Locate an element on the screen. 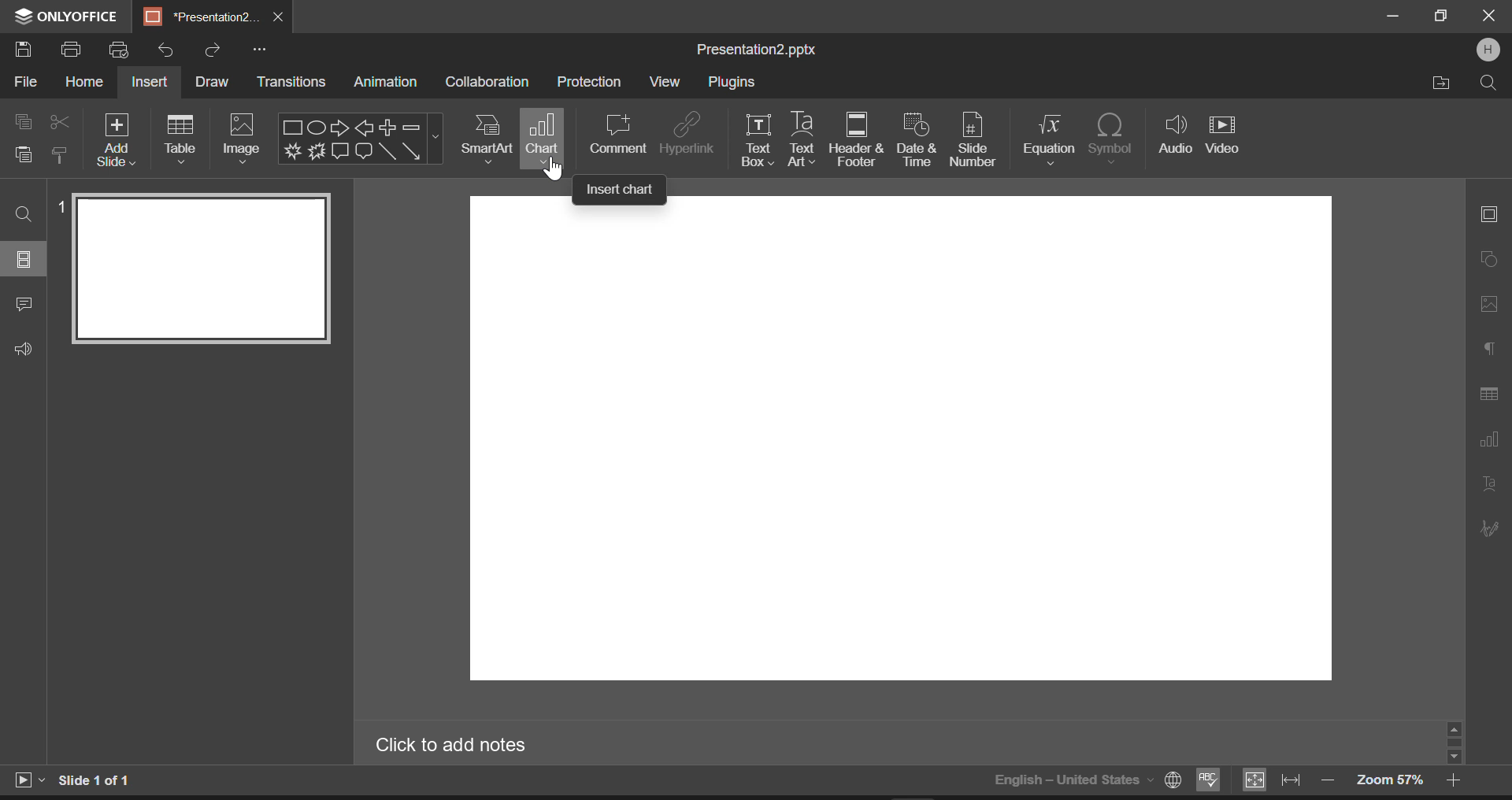  Explosion 1 is located at coordinates (293, 151).